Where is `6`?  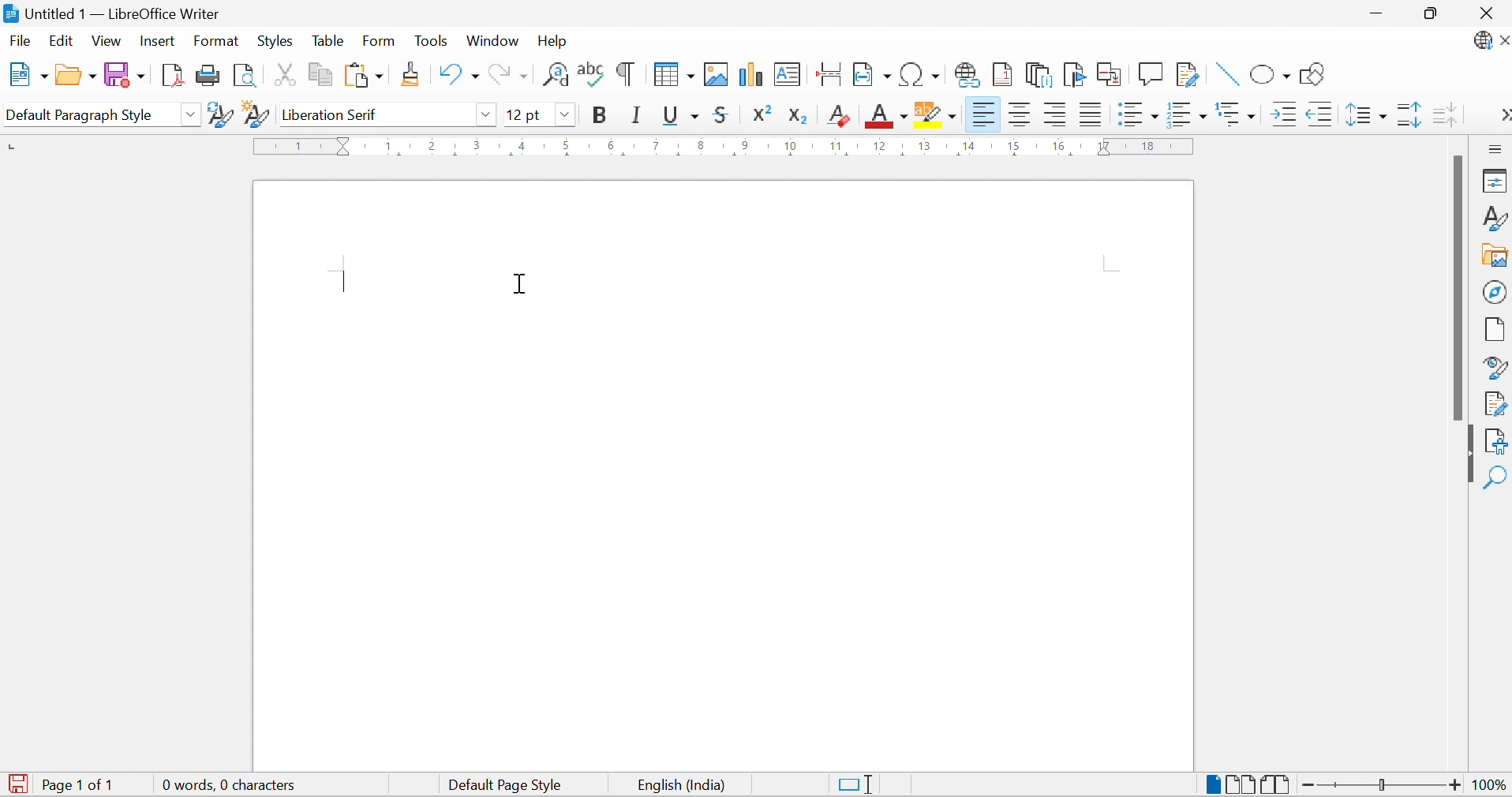
6 is located at coordinates (609, 144).